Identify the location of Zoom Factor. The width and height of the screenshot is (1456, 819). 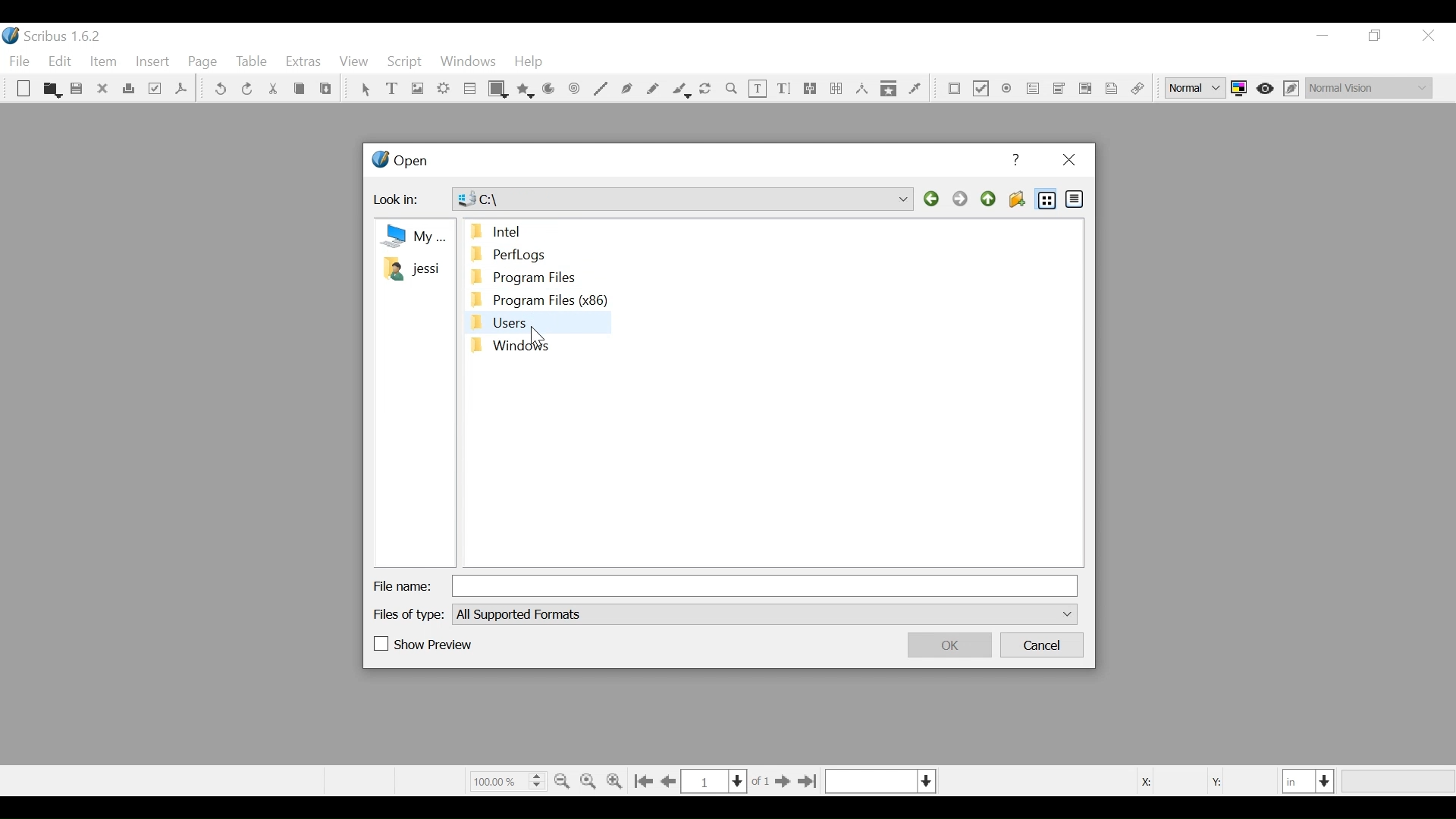
(507, 780).